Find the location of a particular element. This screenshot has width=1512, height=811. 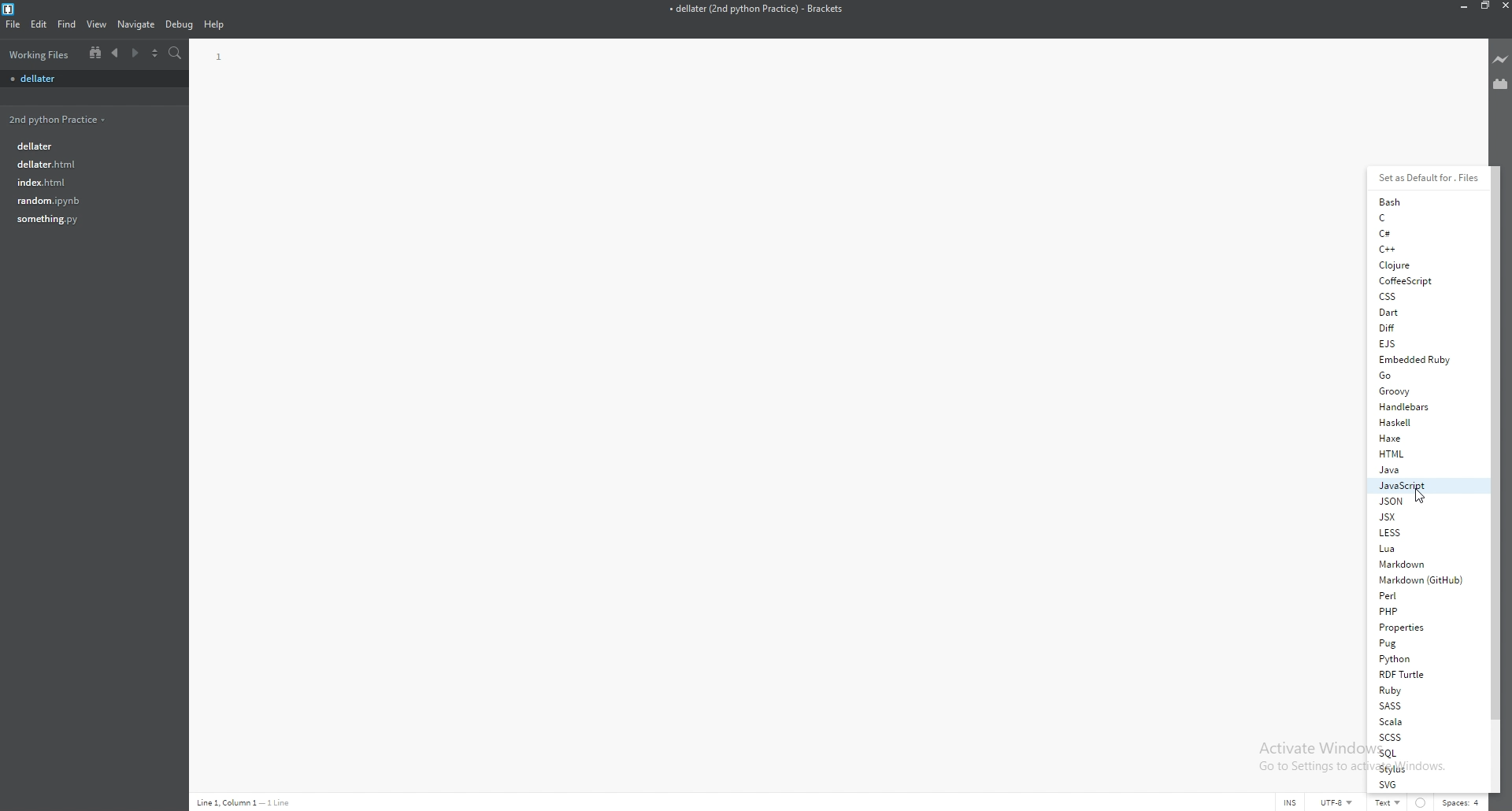

Cursor is located at coordinates (1419, 496).